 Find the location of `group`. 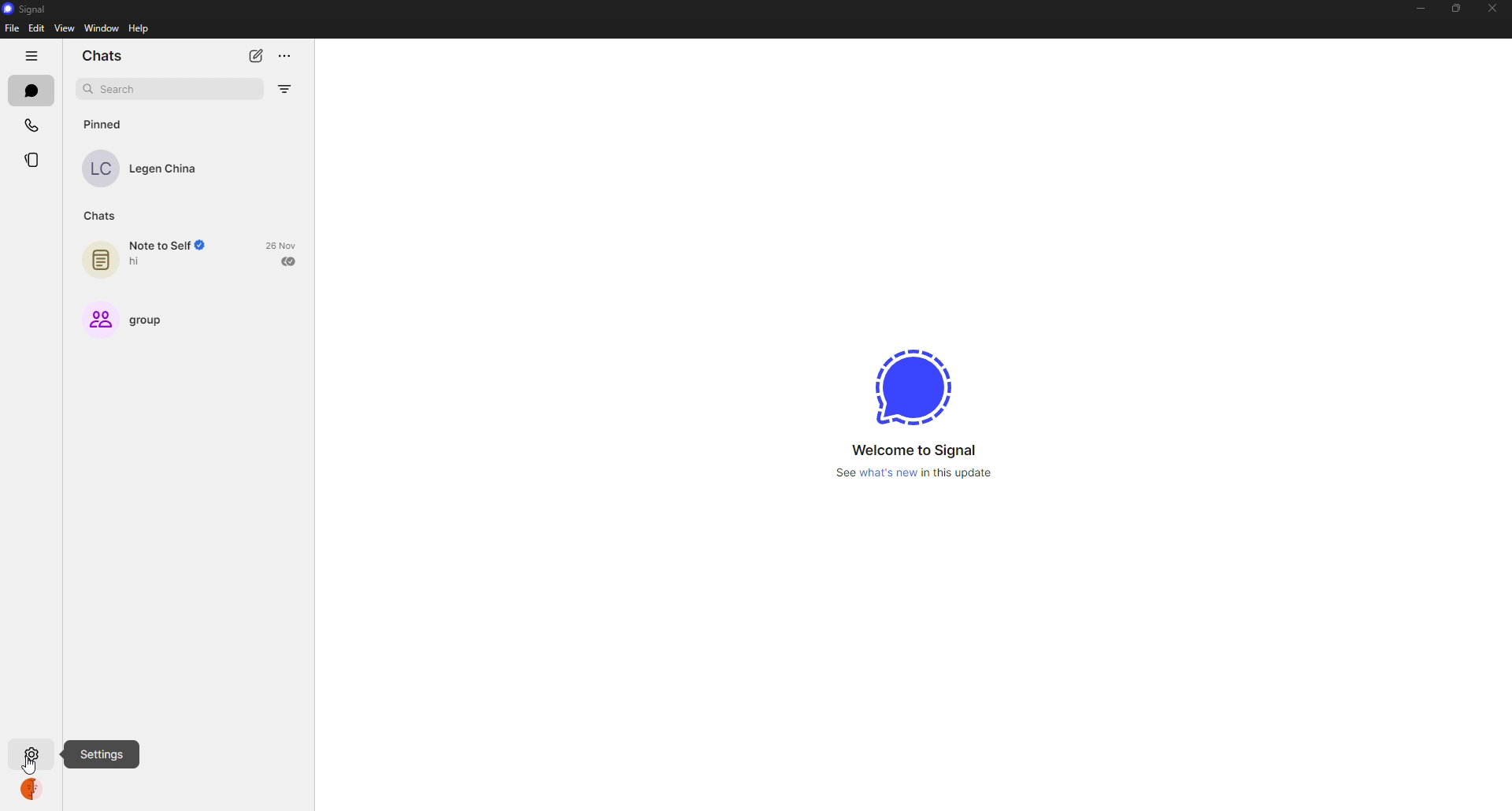

group is located at coordinates (128, 317).